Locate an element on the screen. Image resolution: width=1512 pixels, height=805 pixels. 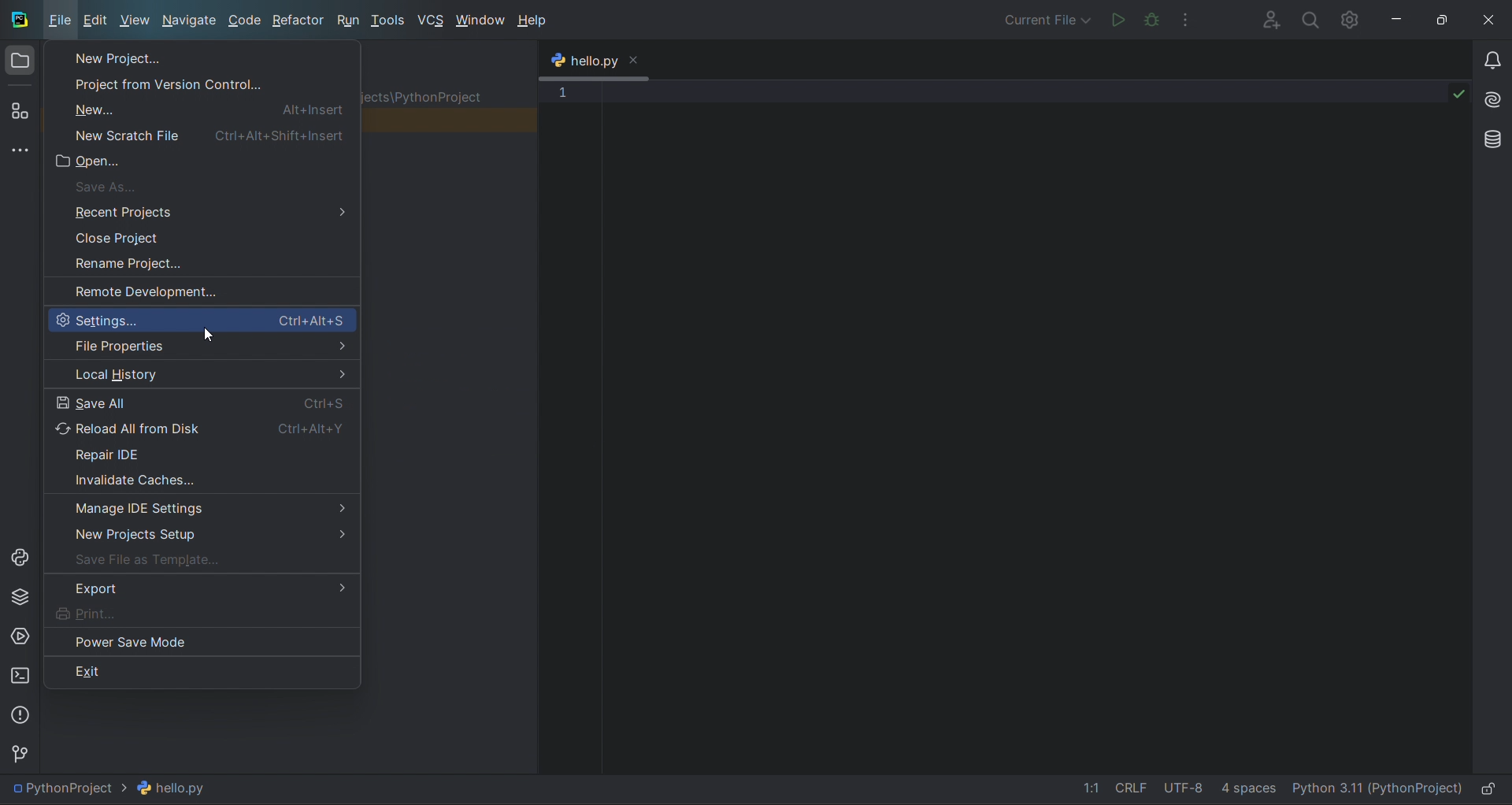
file path is located at coordinates (115, 789).